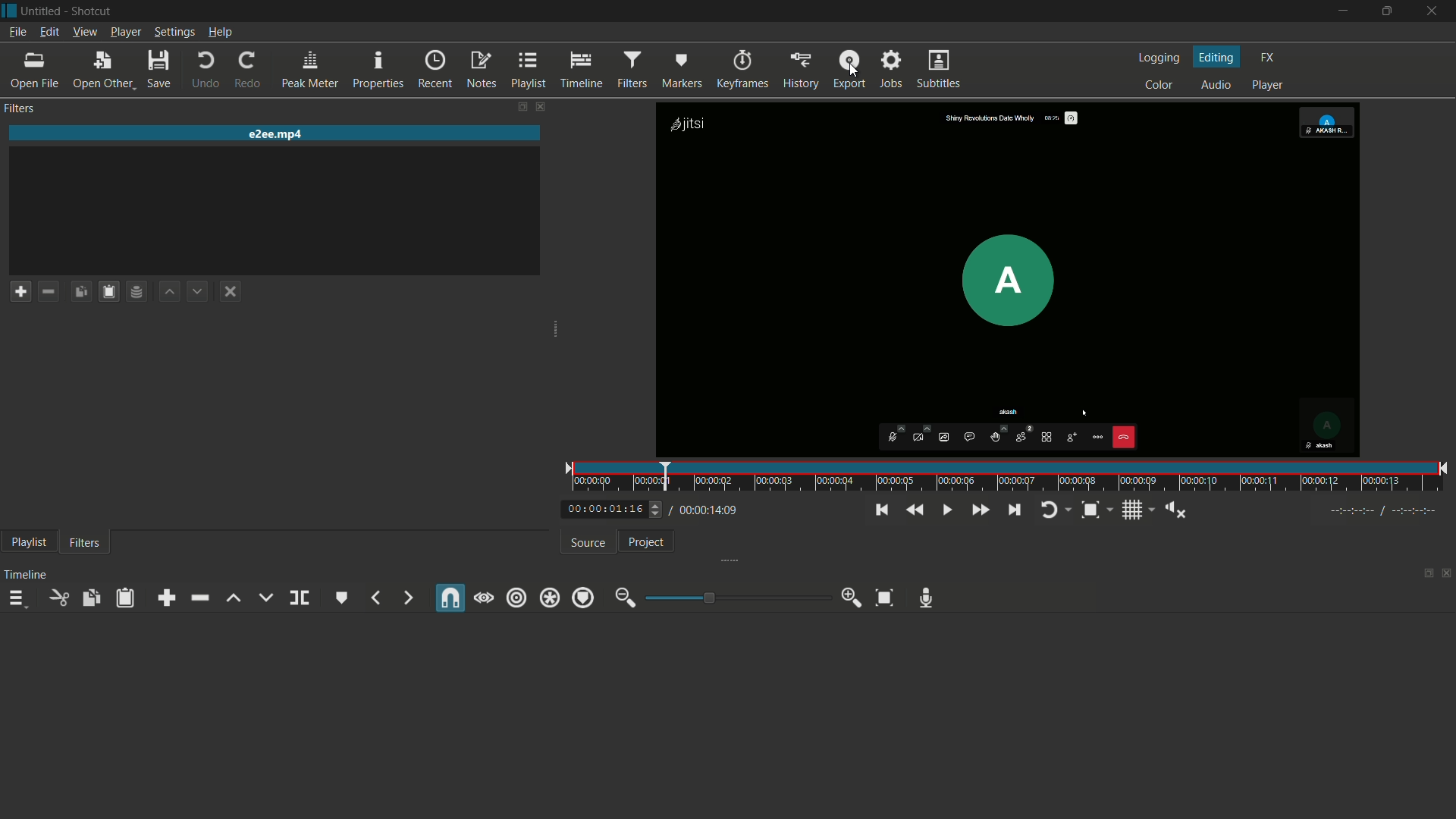  What do you see at coordinates (743, 71) in the screenshot?
I see `keyframes` at bounding box center [743, 71].